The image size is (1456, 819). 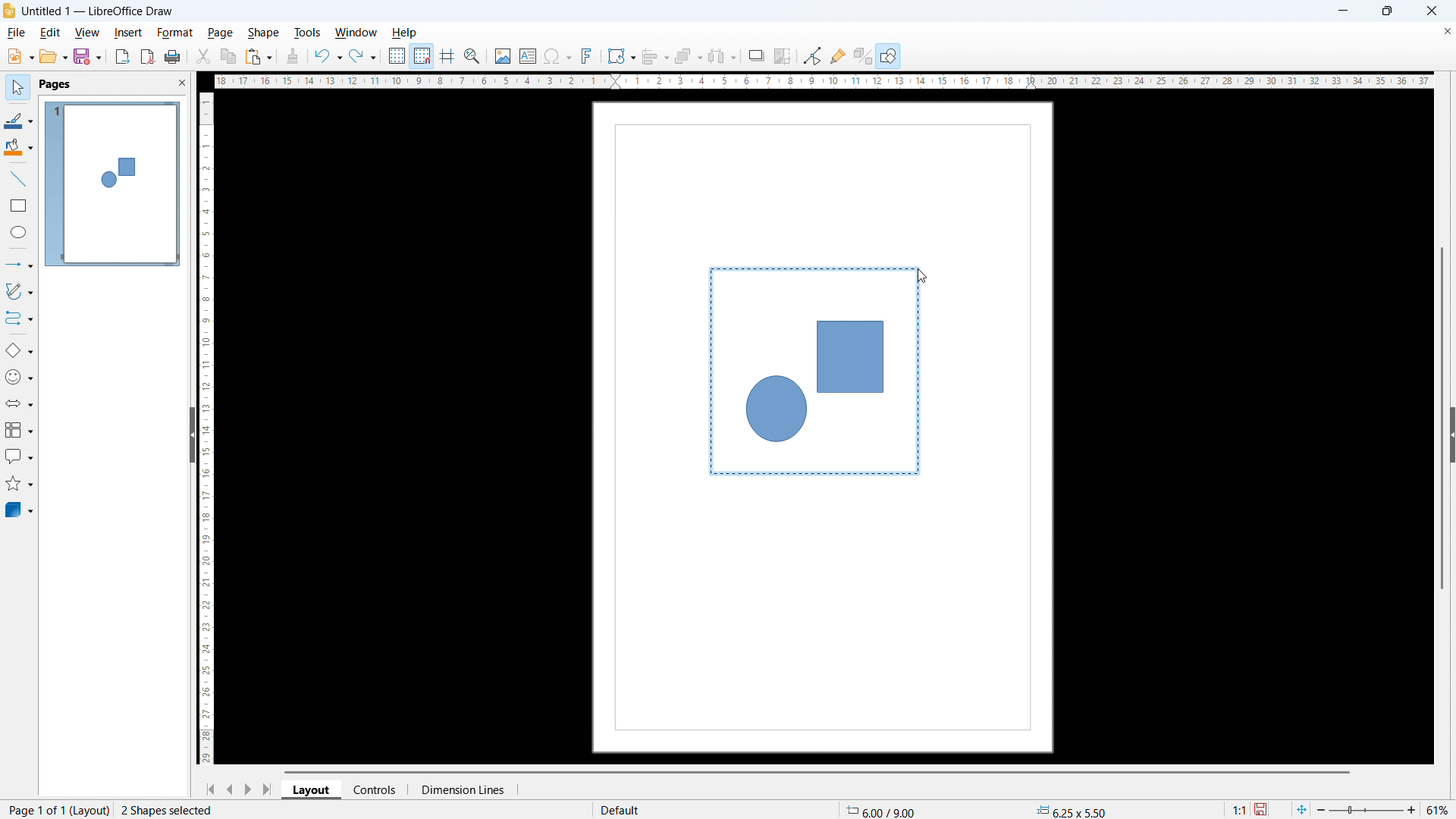 What do you see at coordinates (17, 33) in the screenshot?
I see `file` at bounding box center [17, 33].